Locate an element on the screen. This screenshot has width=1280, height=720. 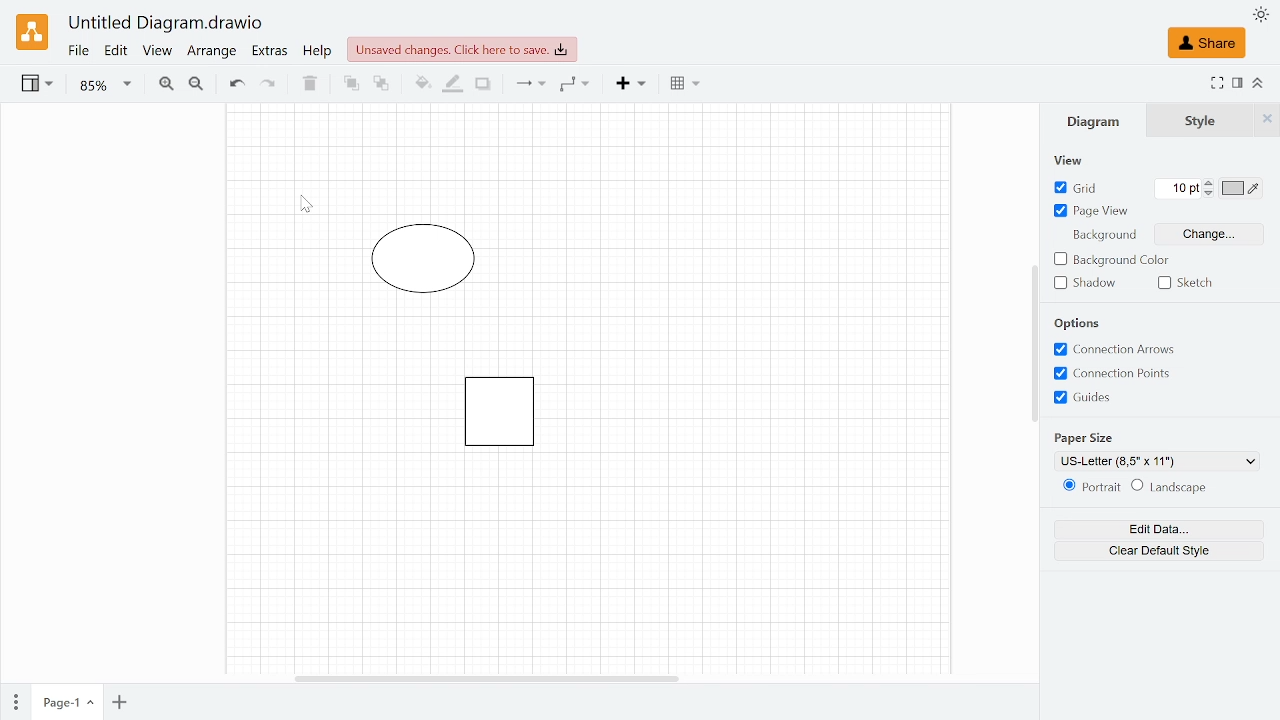
 is located at coordinates (1218, 83).